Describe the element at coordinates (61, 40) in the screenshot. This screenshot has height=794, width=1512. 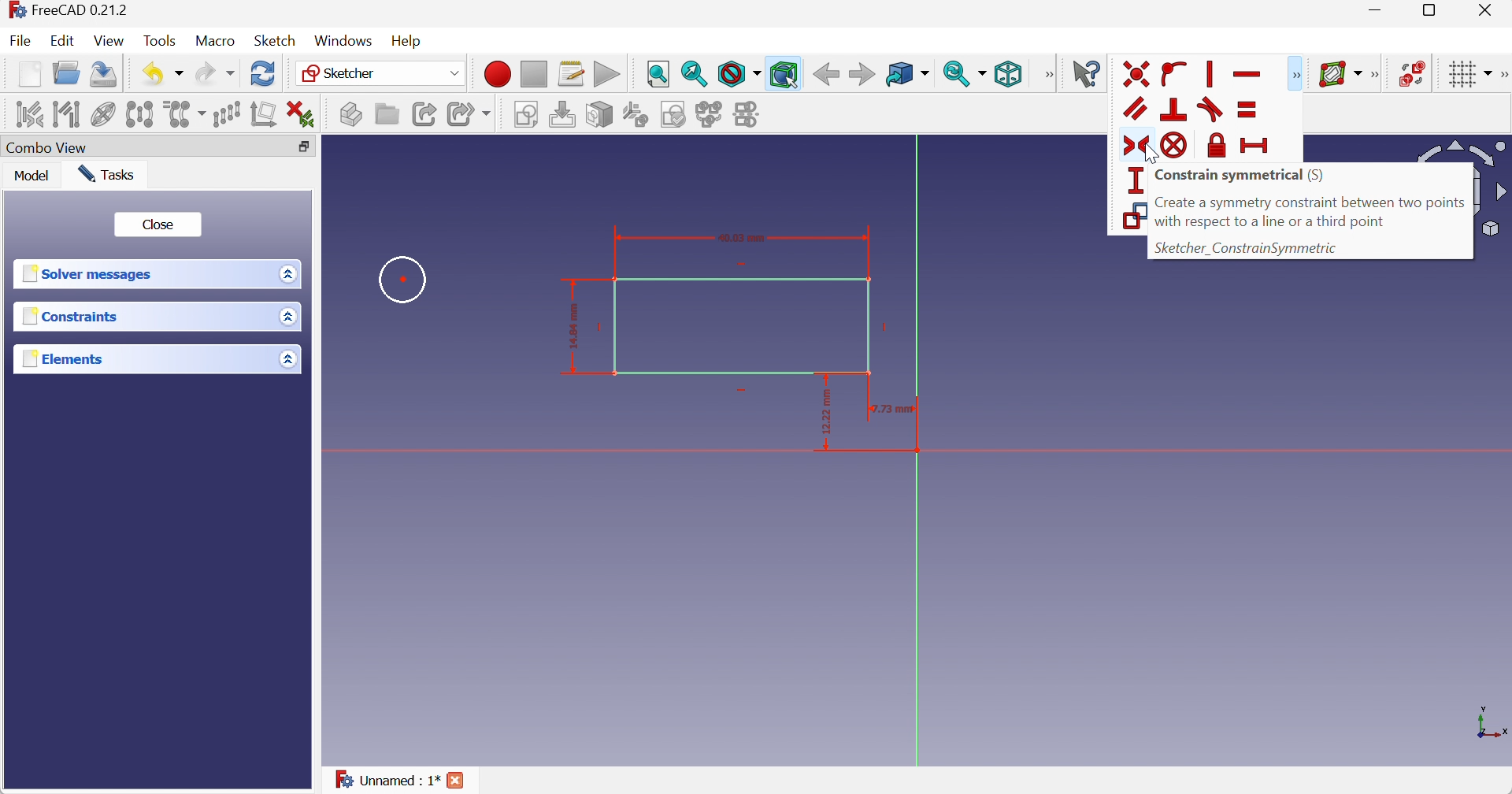
I see `Edit` at that location.